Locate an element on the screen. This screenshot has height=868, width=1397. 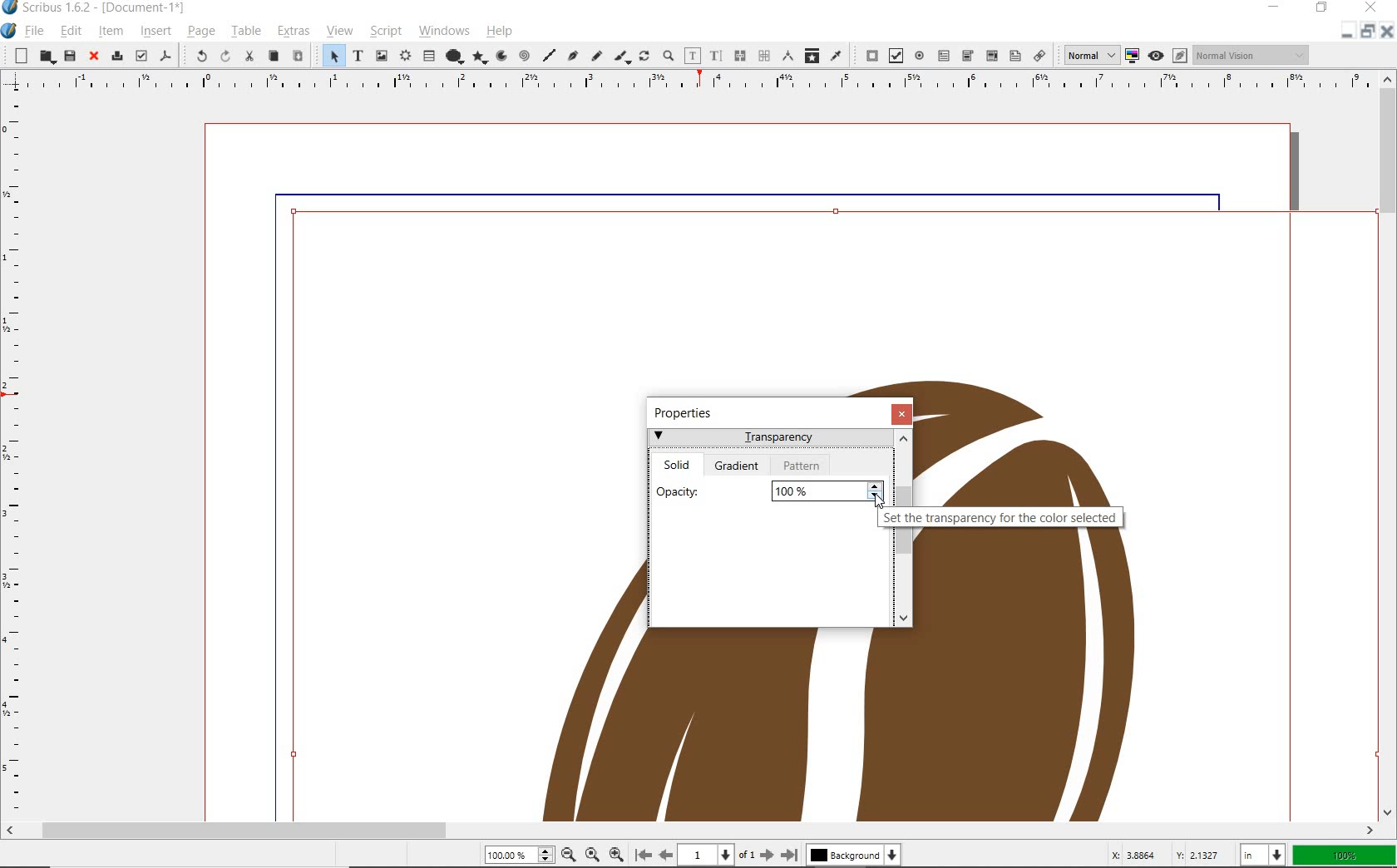
select unit: in is located at coordinates (1265, 856).